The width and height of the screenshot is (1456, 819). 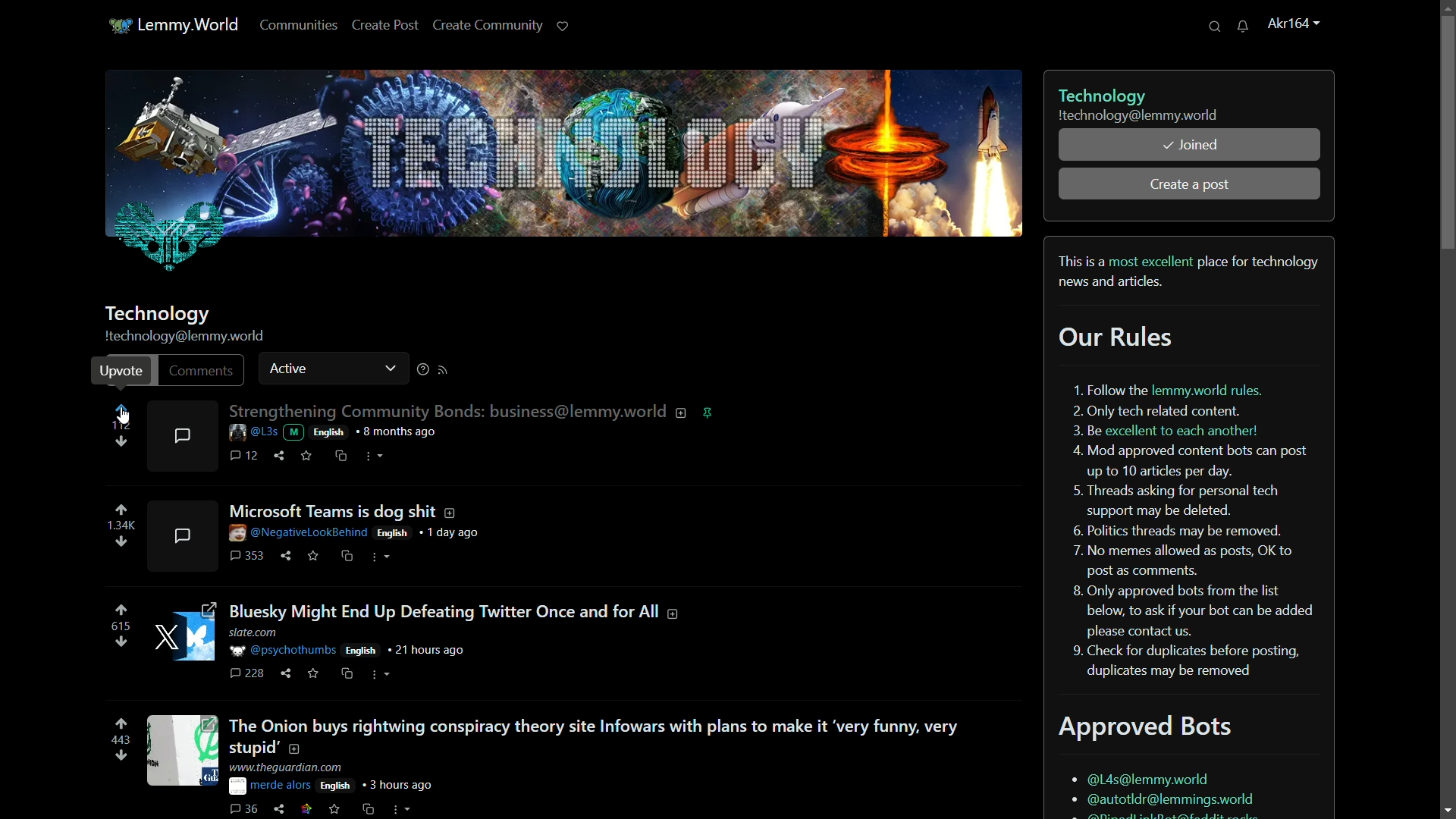 What do you see at coordinates (121, 526) in the screenshot?
I see `number of voted` at bounding box center [121, 526].